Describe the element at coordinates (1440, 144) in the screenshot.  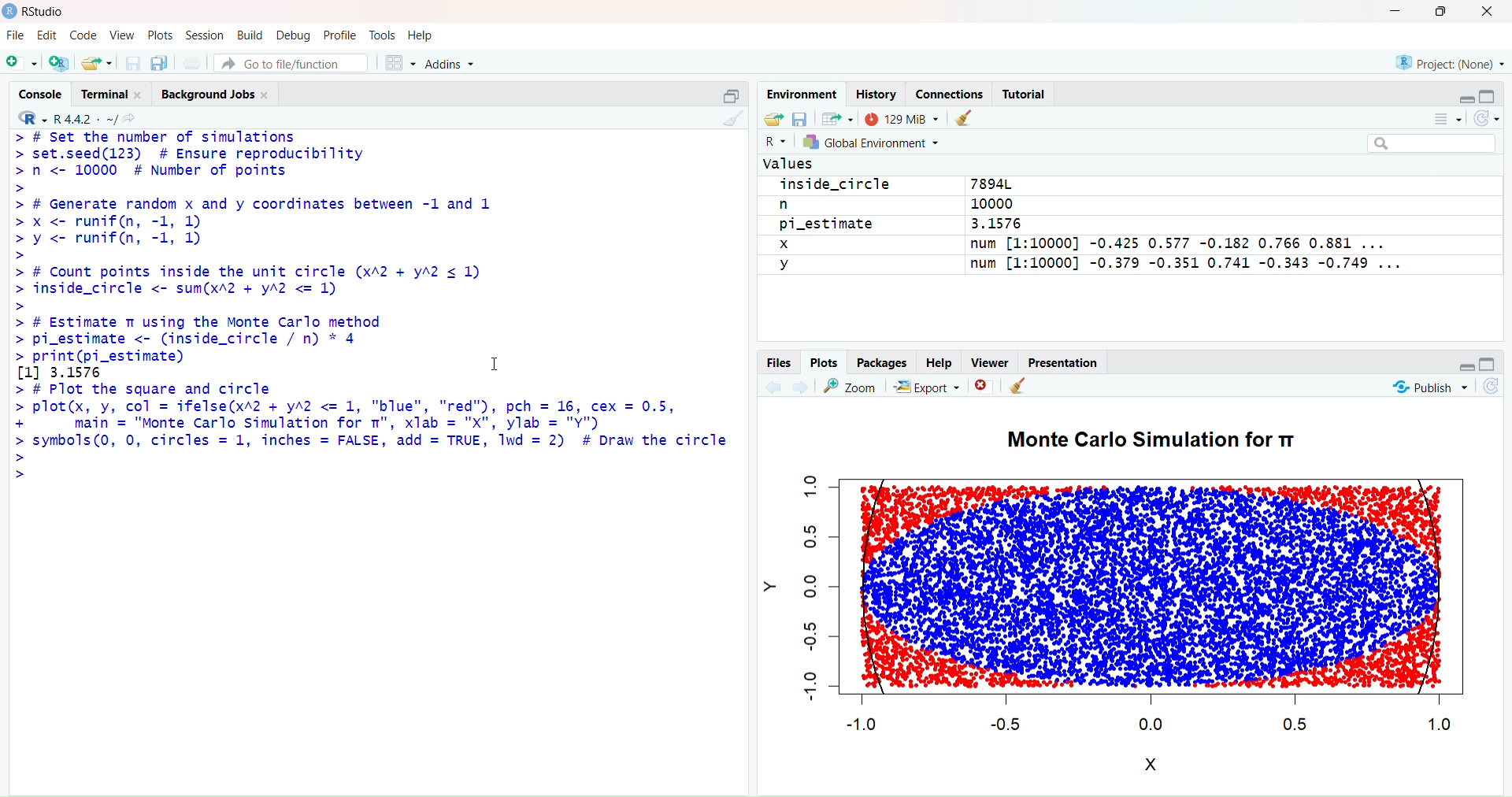
I see `Search bar` at that location.